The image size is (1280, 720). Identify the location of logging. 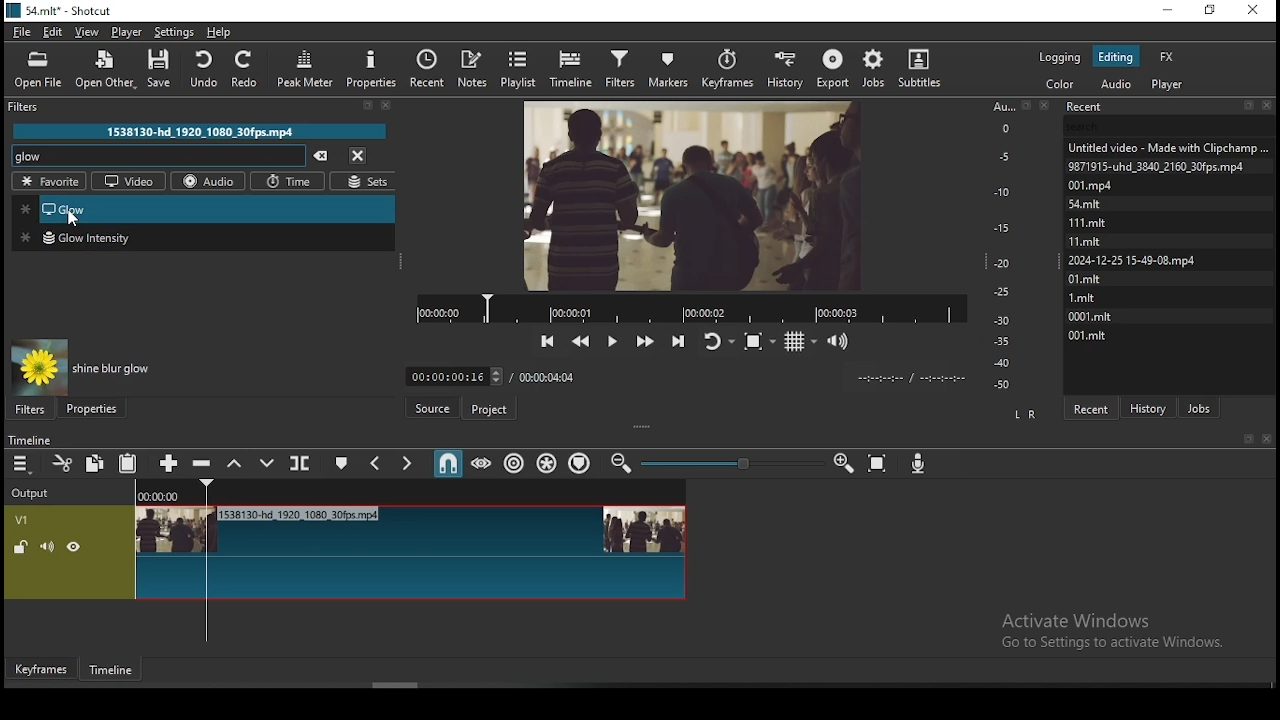
(1062, 55).